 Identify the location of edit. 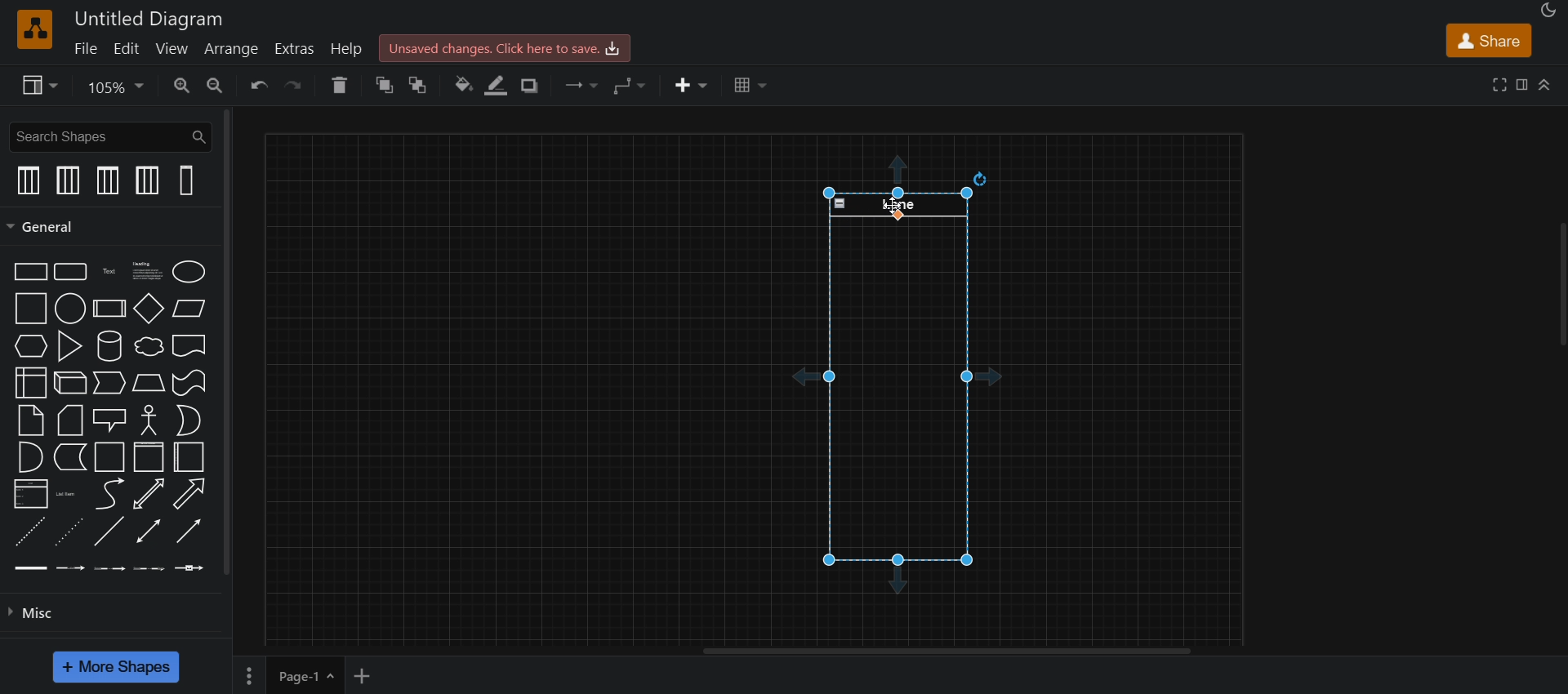
(131, 49).